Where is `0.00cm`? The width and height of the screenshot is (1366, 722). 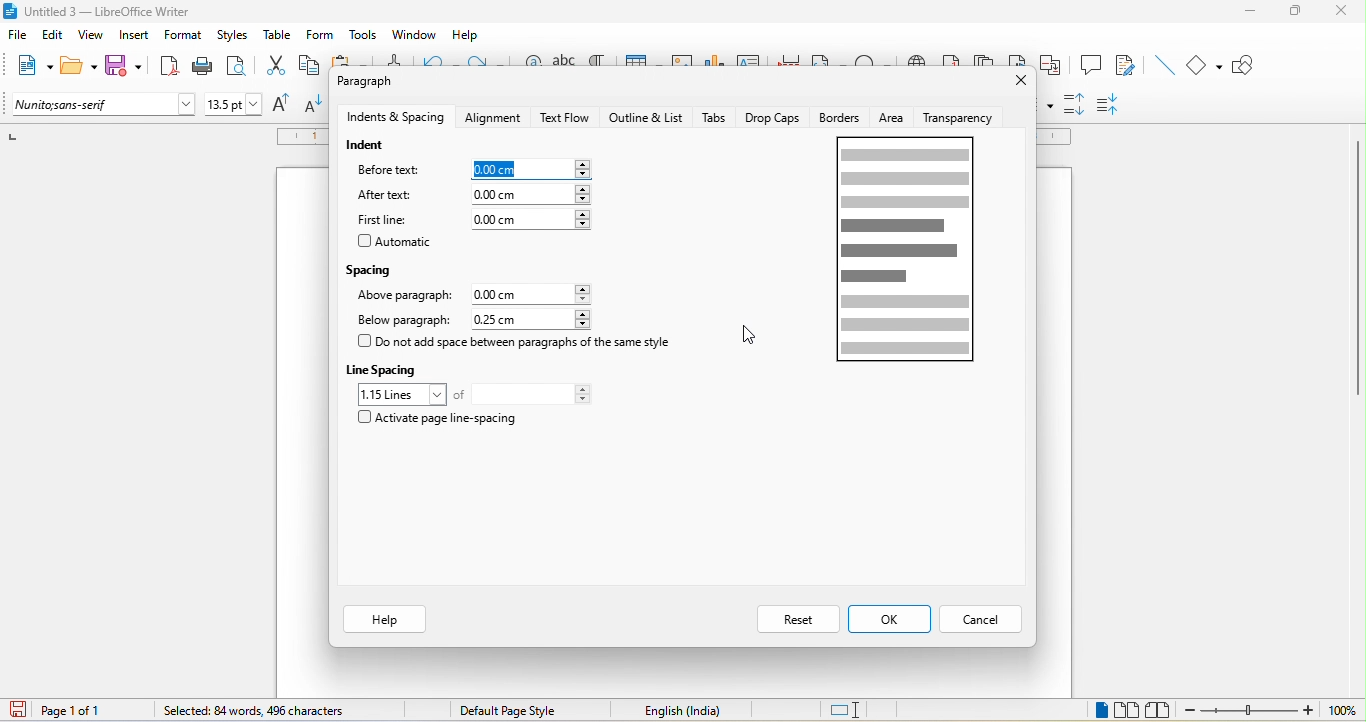
0.00cm is located at coordinates (518, 221).